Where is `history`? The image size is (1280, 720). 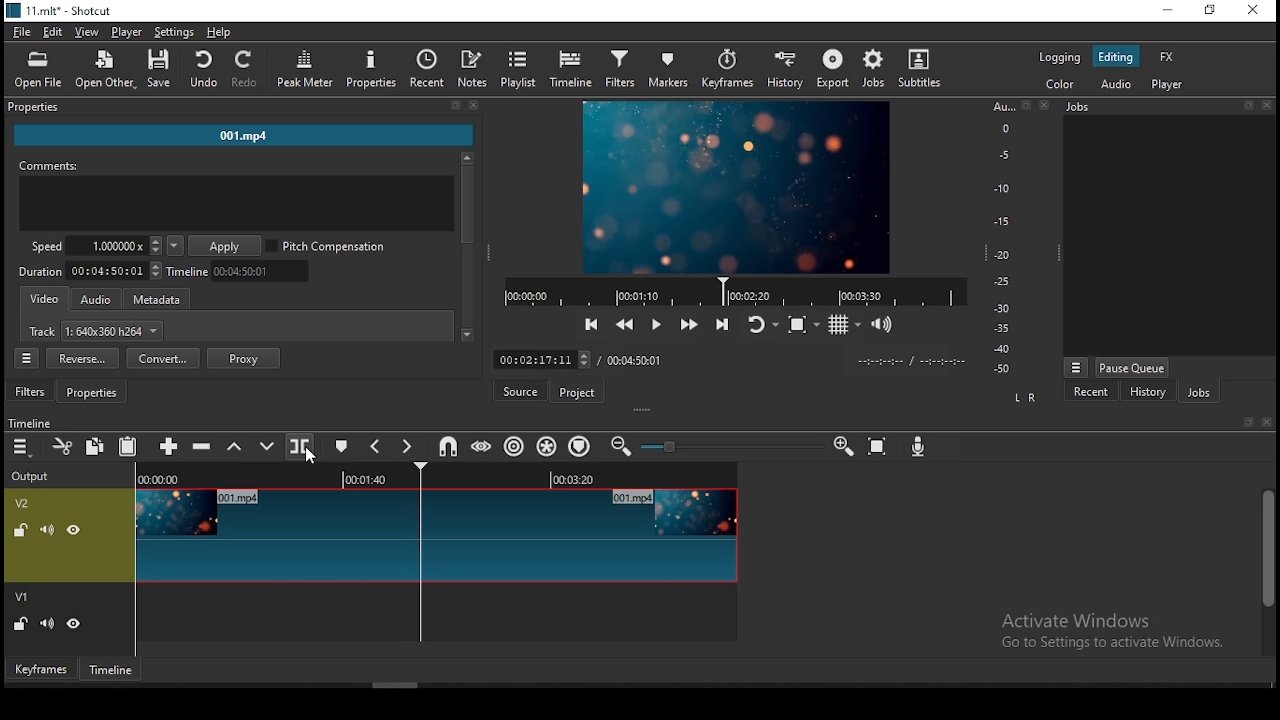
history is located at coordinates (1144, 393).